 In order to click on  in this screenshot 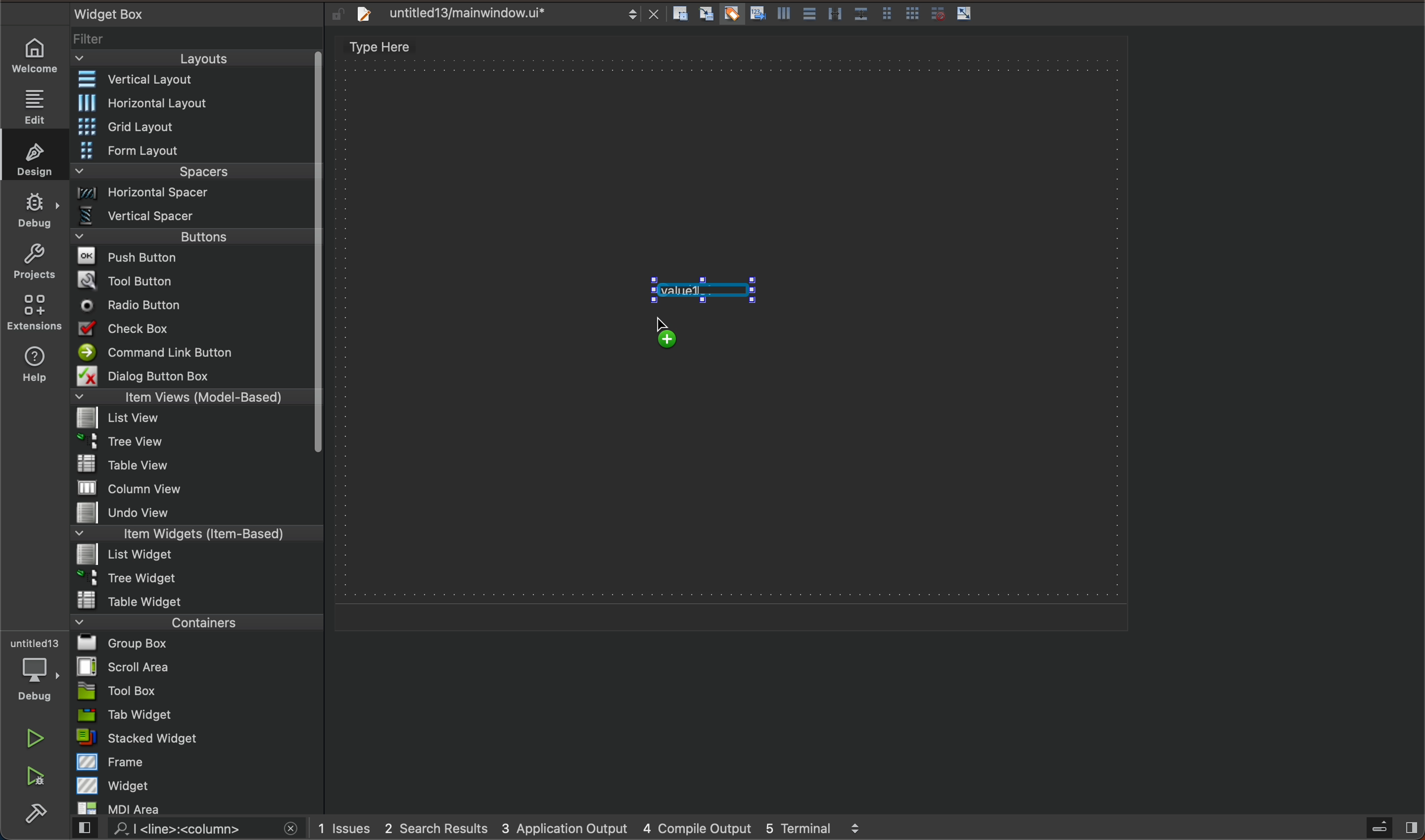, I will do `click(886, 15)`.